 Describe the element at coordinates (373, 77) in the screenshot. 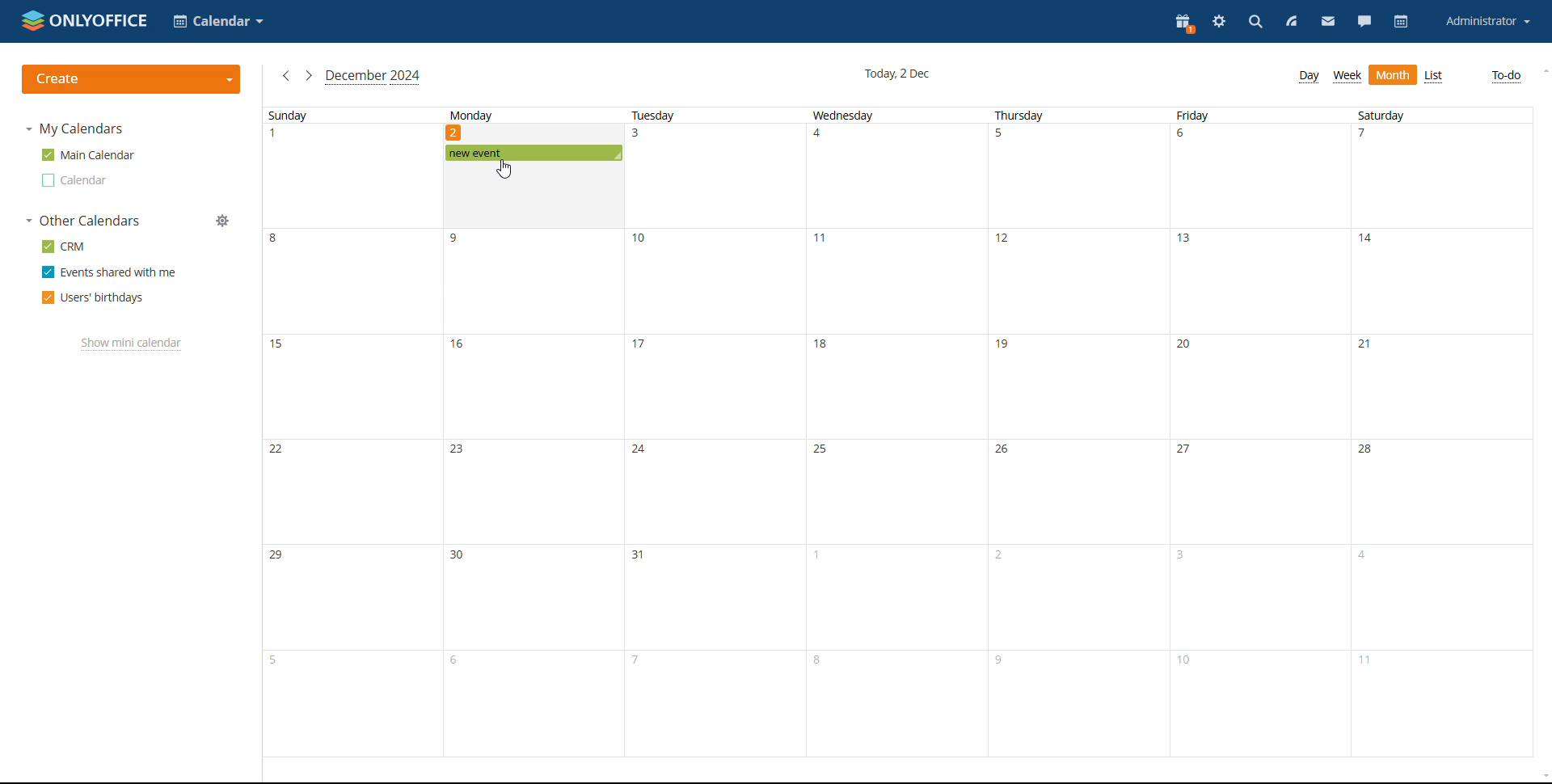

I see `current month` at that location.